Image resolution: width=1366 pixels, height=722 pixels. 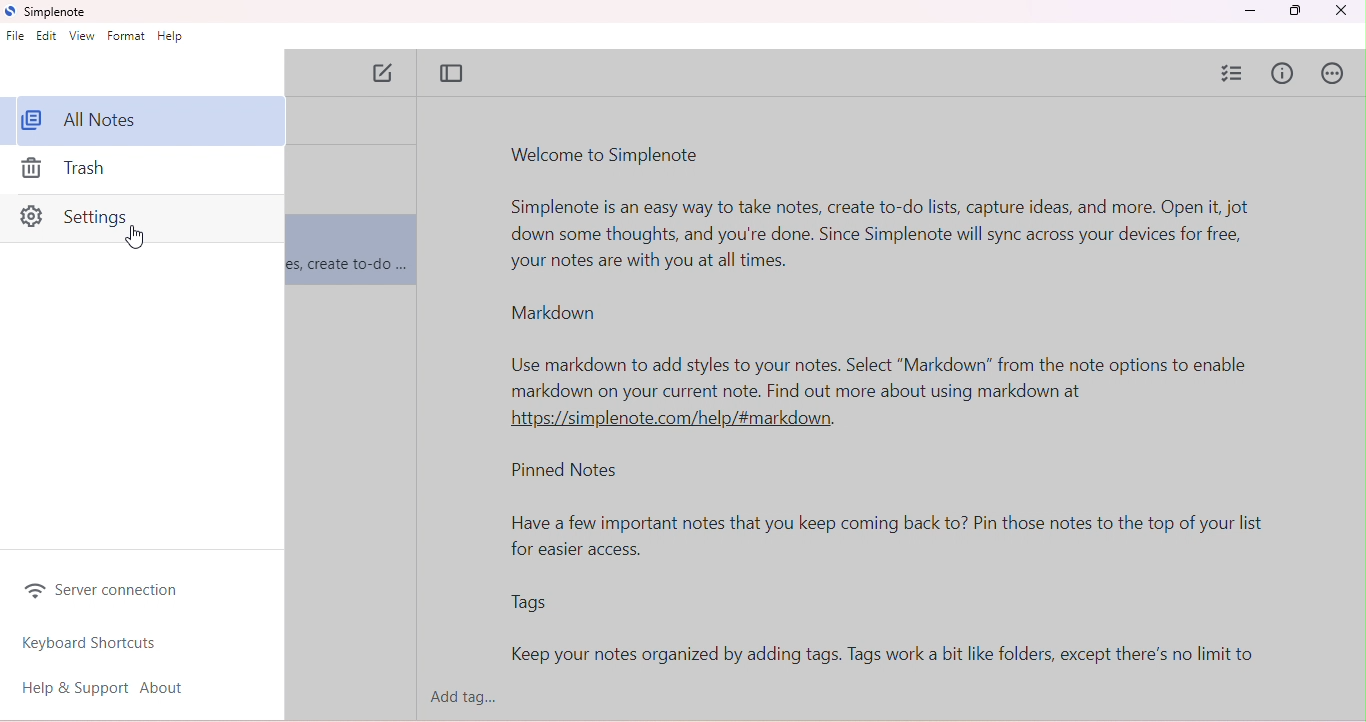 What do you see at coordinates (1234, 72) in the screenshot?
I see `insert checklist` at bounding box center [1234, 72].